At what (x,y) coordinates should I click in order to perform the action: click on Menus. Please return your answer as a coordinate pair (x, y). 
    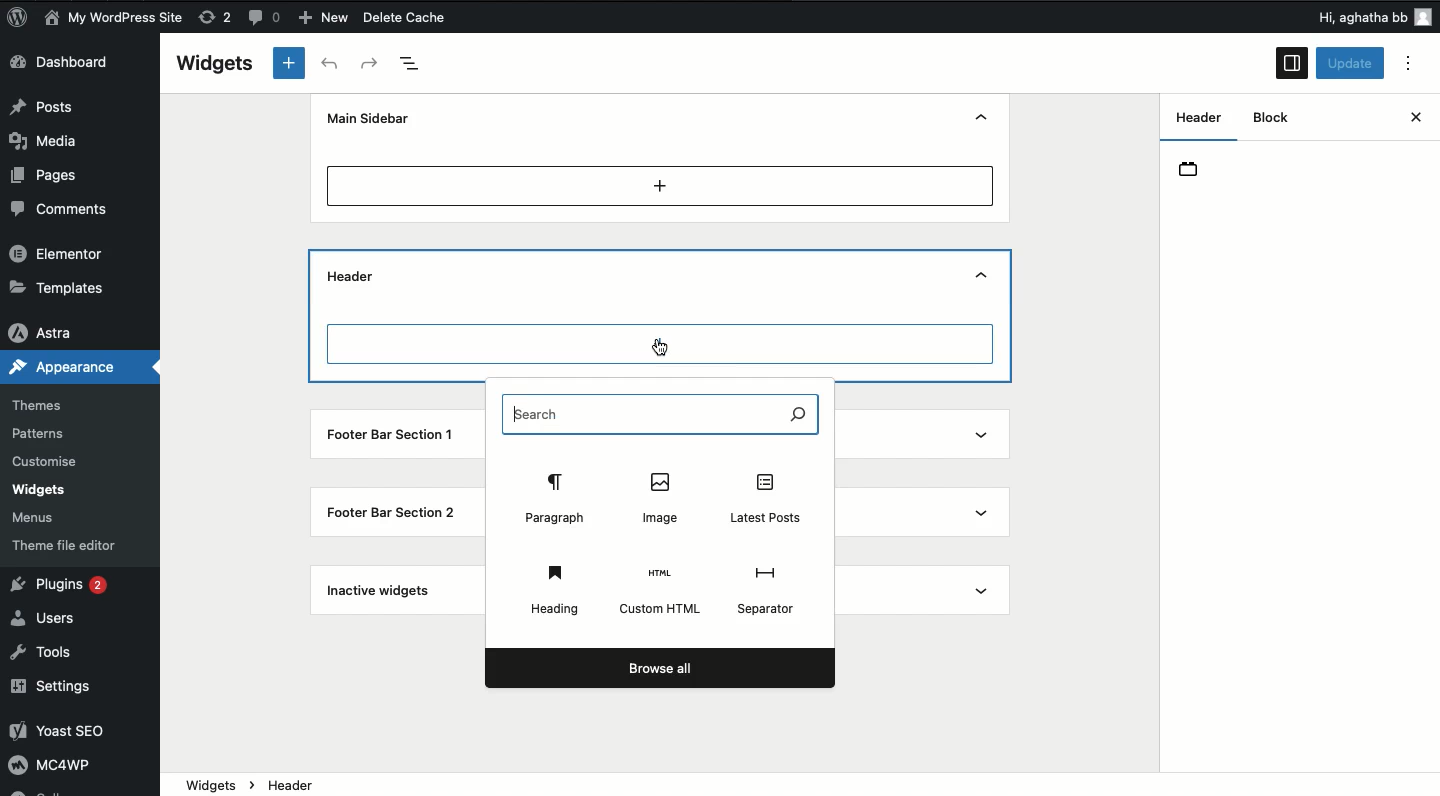
    Looking at the image, I should click on (44, 515).